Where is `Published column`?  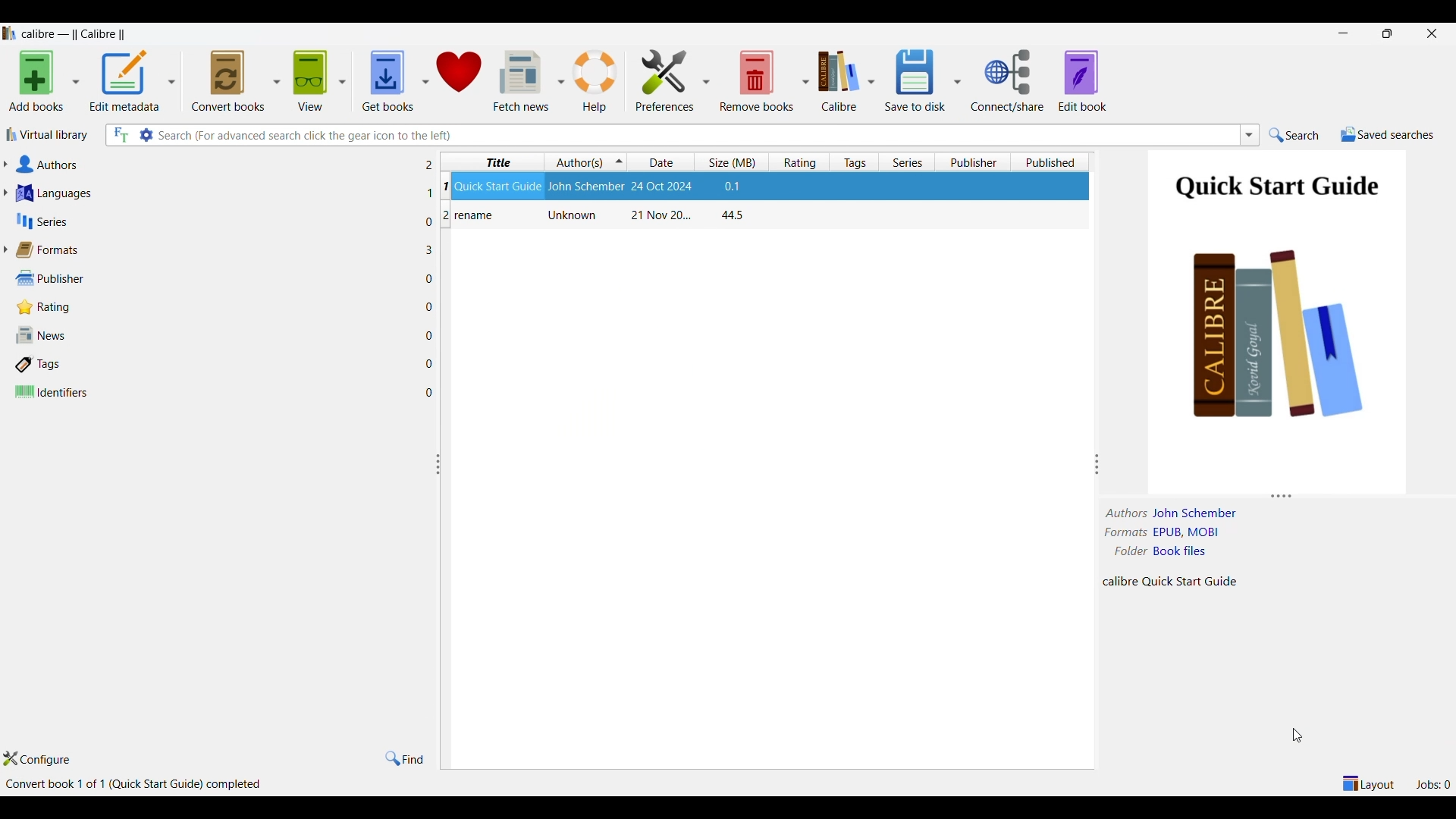 Published column is located at coordinates (1055, 162).